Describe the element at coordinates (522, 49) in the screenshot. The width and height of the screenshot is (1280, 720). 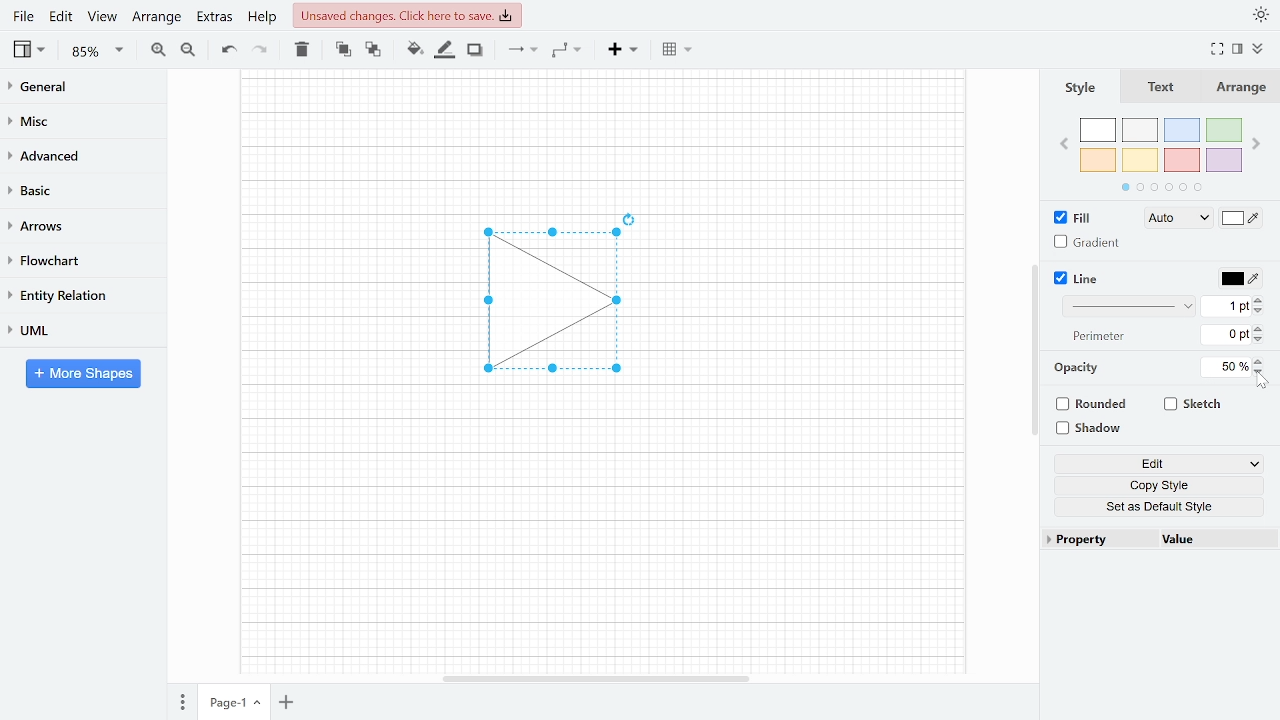
I see `Connection` at that location.